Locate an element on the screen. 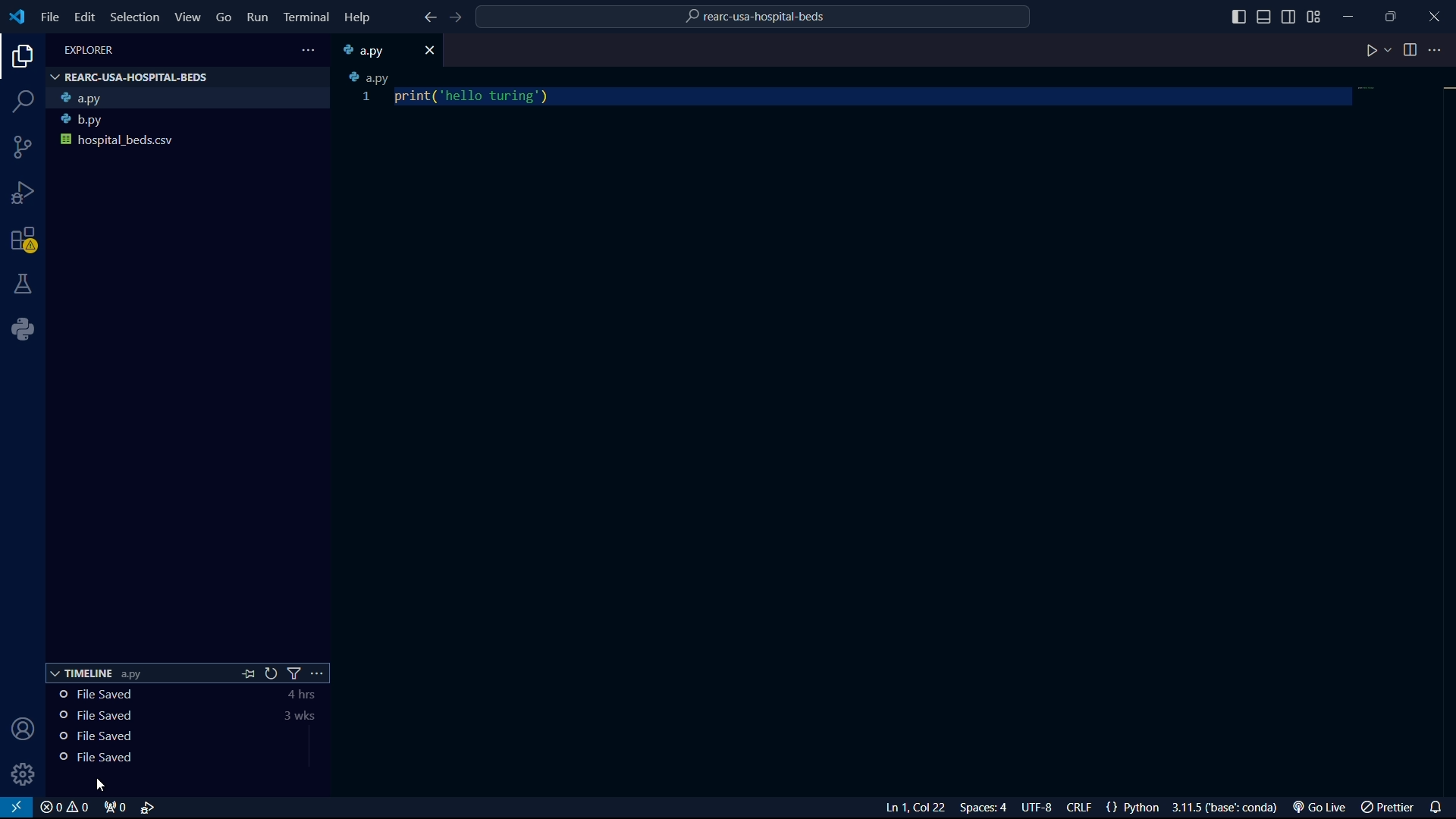 The width and height of the screenshot is (1456, 819). b.py file is located at coordinates (189, 121).